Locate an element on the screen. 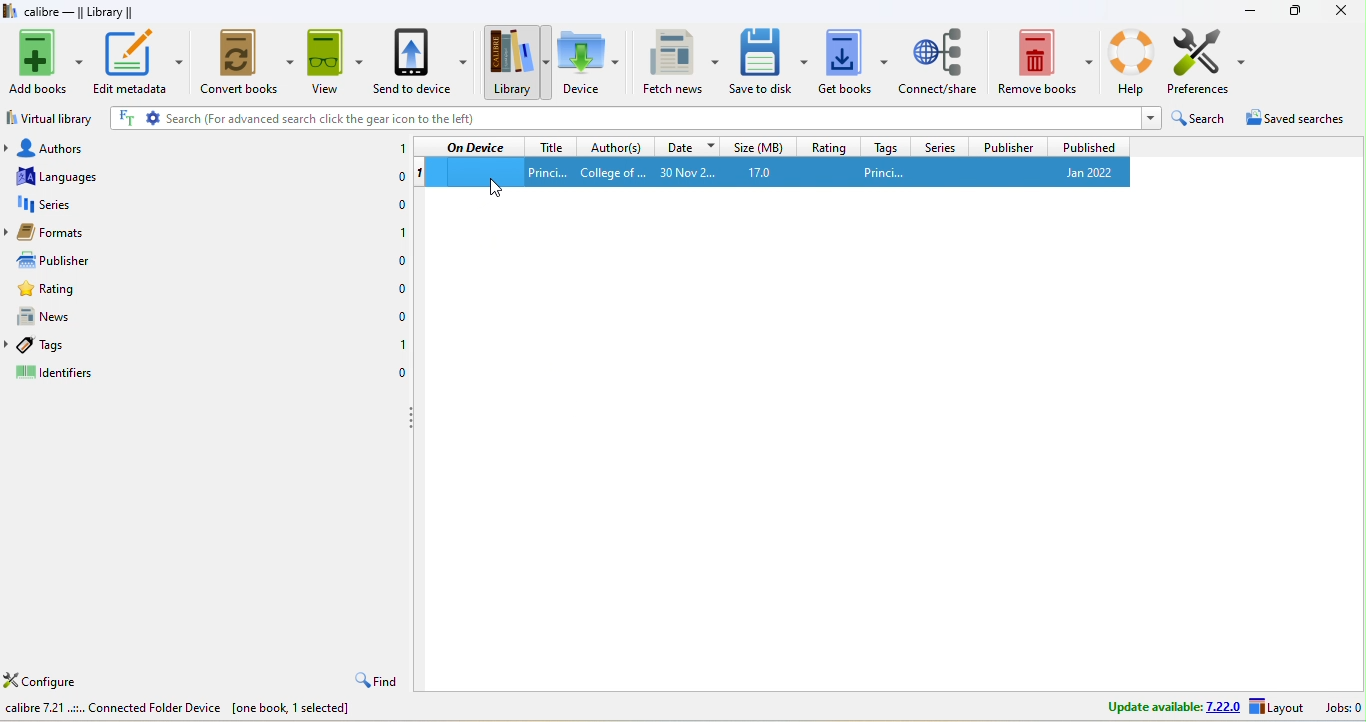 This screenshot has width=1366, height=722. princi is located at coordinates (923, 171).